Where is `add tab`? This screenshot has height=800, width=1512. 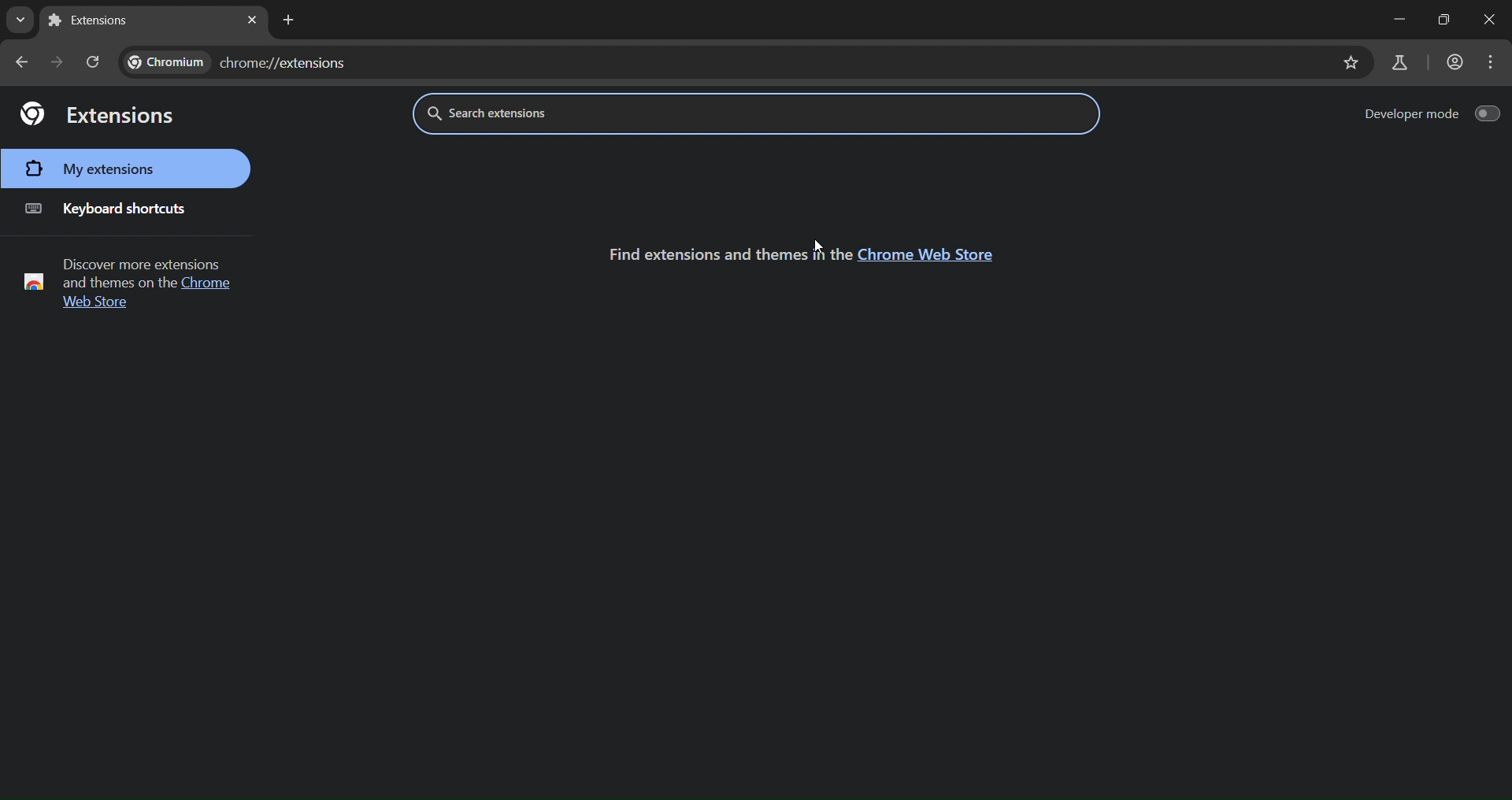 add tab is located at coordinates (291, 20).